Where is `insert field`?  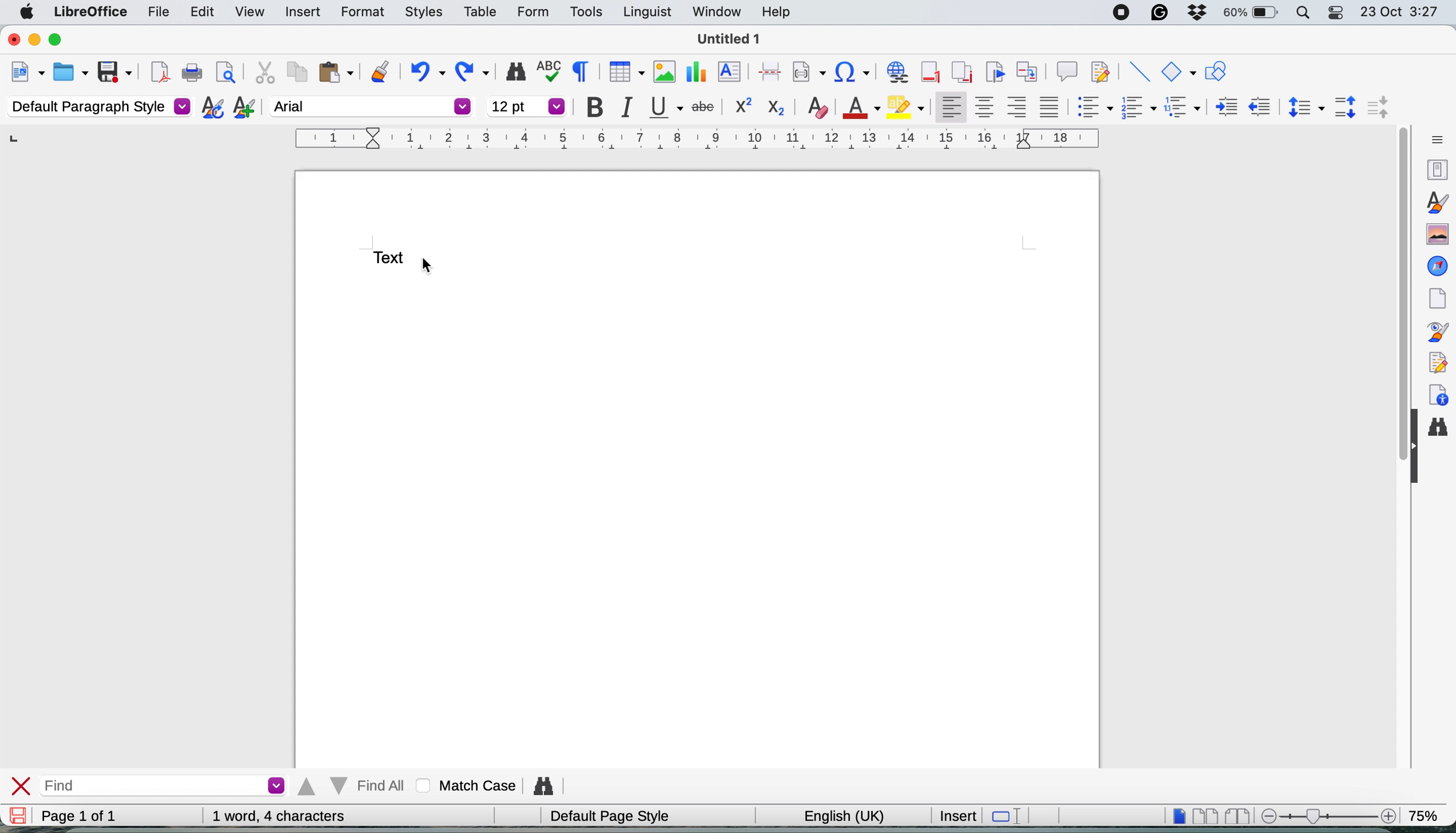 insert field is located at coordinates (810, 71).